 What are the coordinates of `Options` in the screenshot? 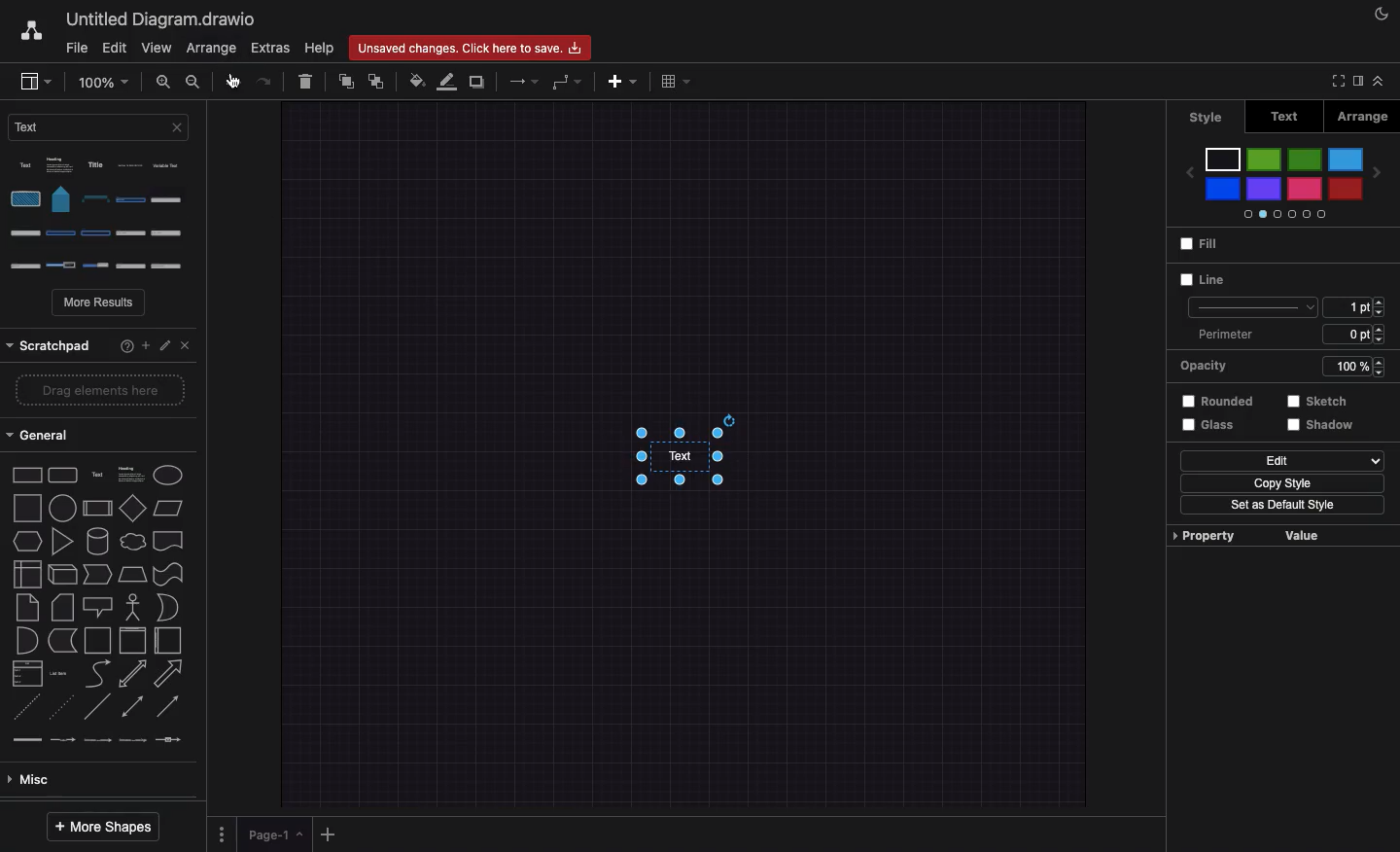 It's located at (221, 832).